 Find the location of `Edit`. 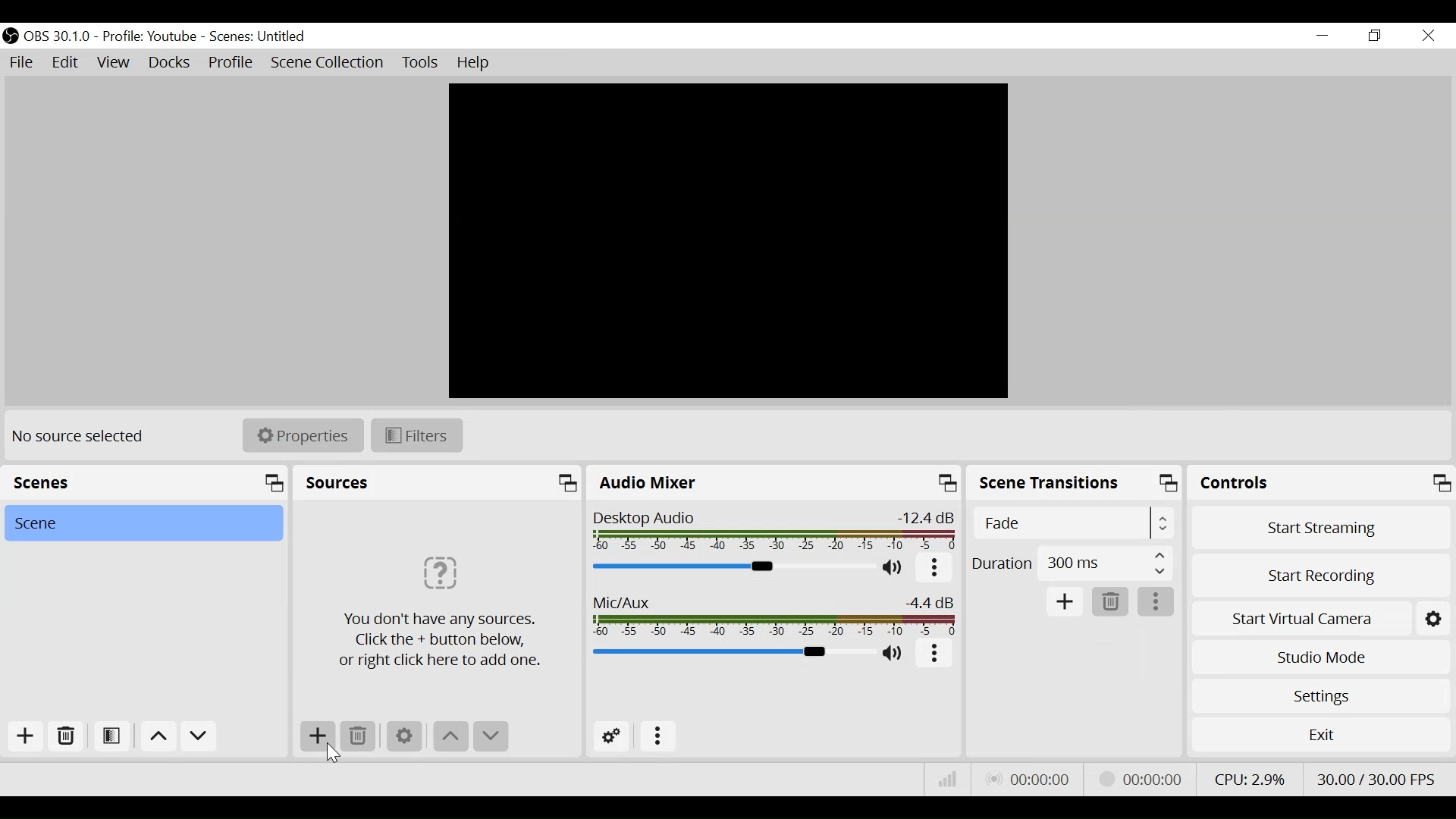

Edit is located at coordinates (65, 61).